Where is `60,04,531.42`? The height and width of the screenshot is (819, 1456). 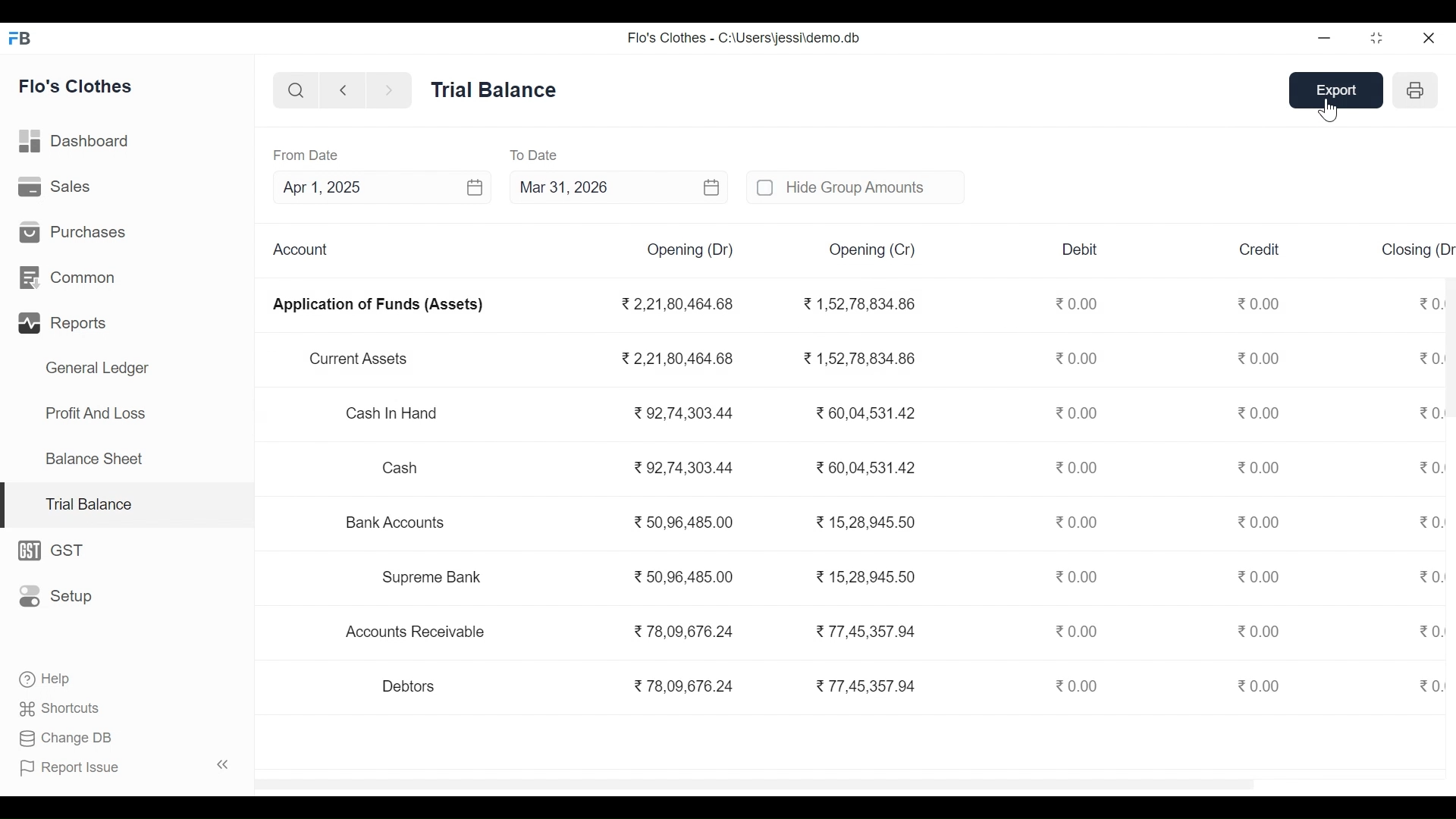 60,04,531.42 is located at coordinates (863, 466).